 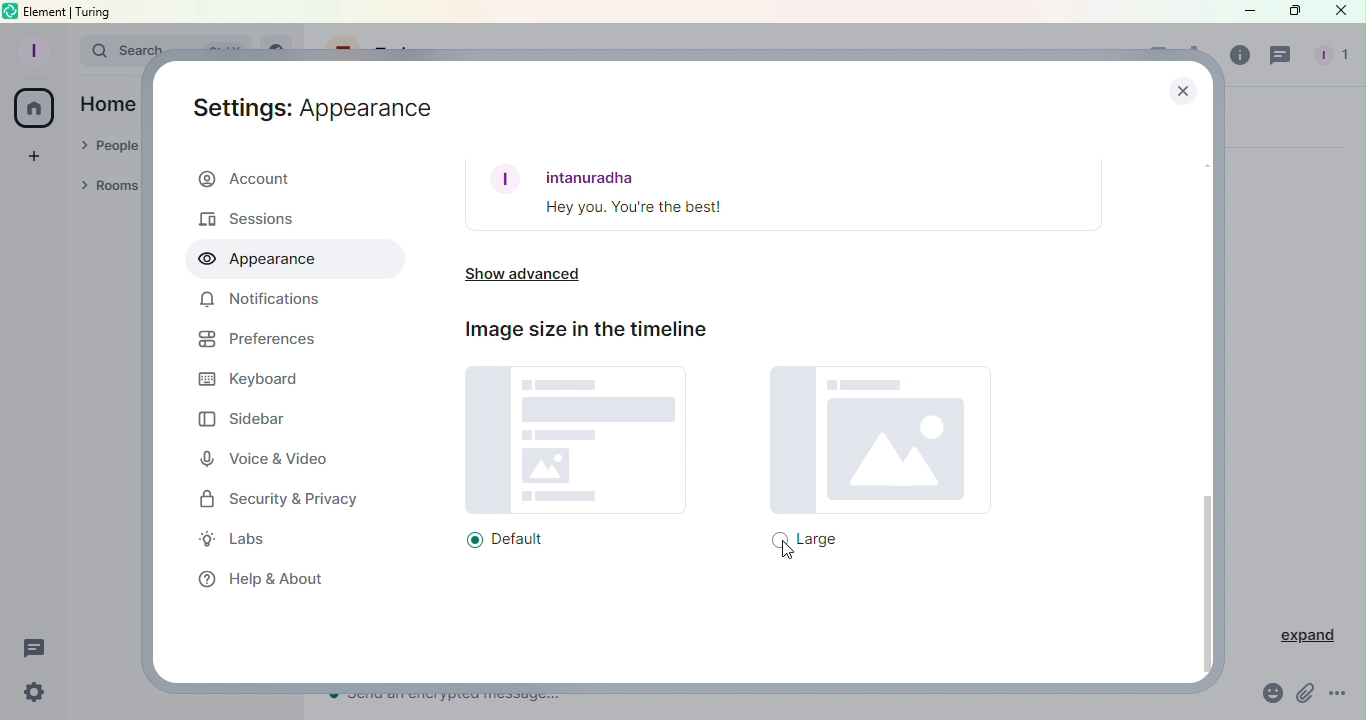 I want to click on Emoji, so click(x=1269, y=696).